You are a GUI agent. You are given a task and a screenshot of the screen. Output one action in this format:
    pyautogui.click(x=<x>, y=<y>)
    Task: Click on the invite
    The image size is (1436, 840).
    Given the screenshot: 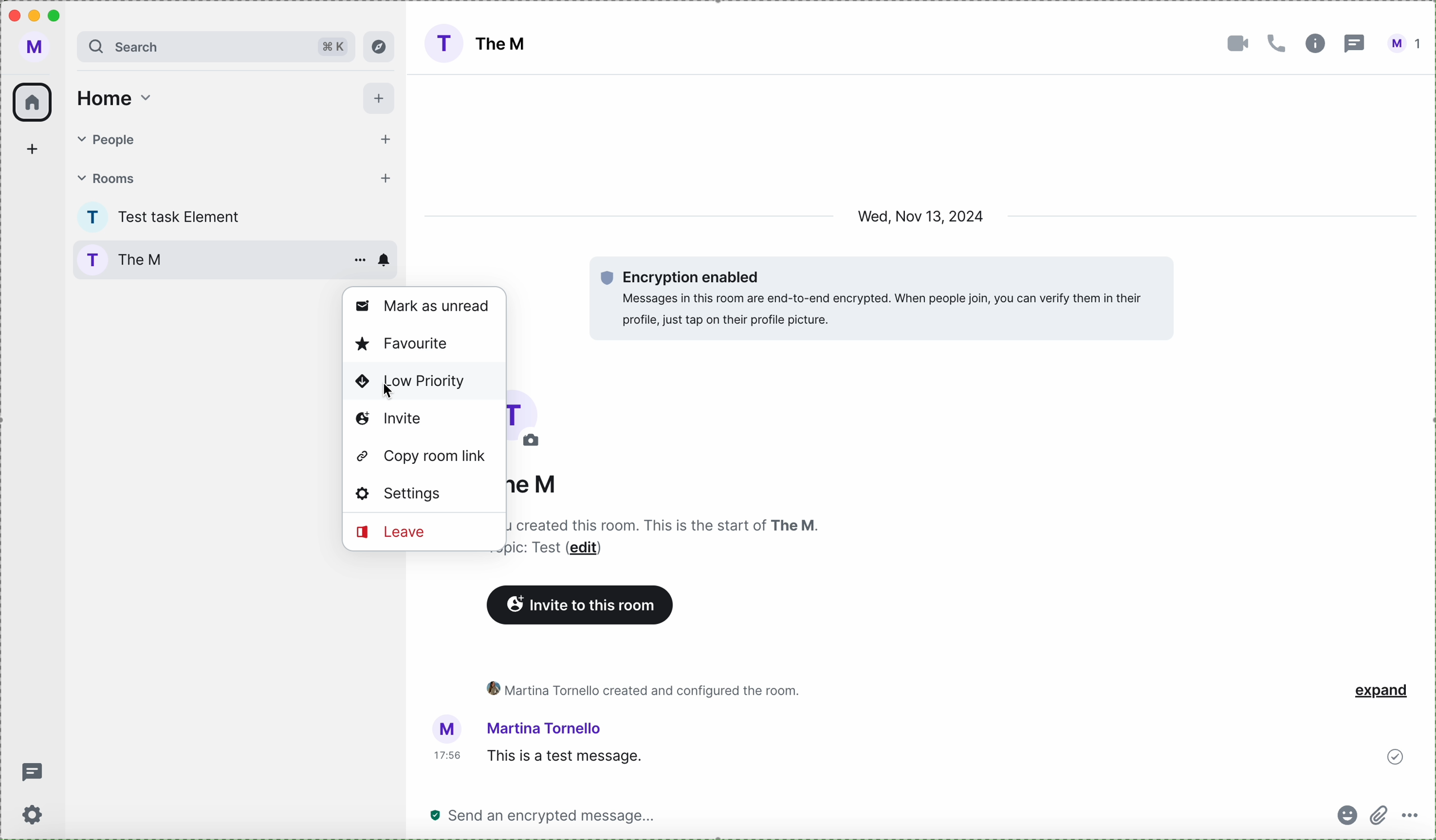 What is the action you would take?
    pyautogui.click(x=390, y=419)
    